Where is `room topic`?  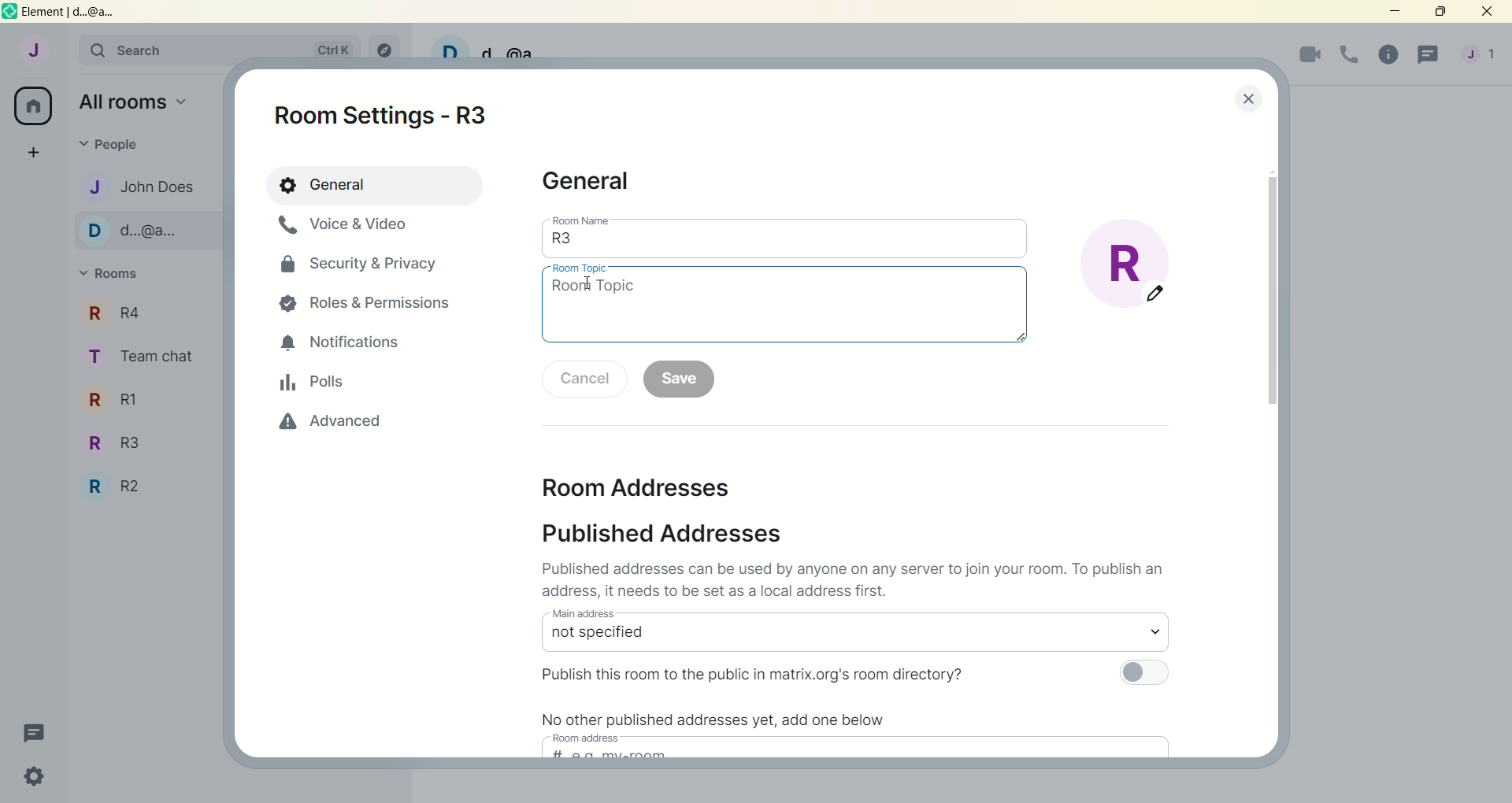
room topic is located at coordinates (578, 269).